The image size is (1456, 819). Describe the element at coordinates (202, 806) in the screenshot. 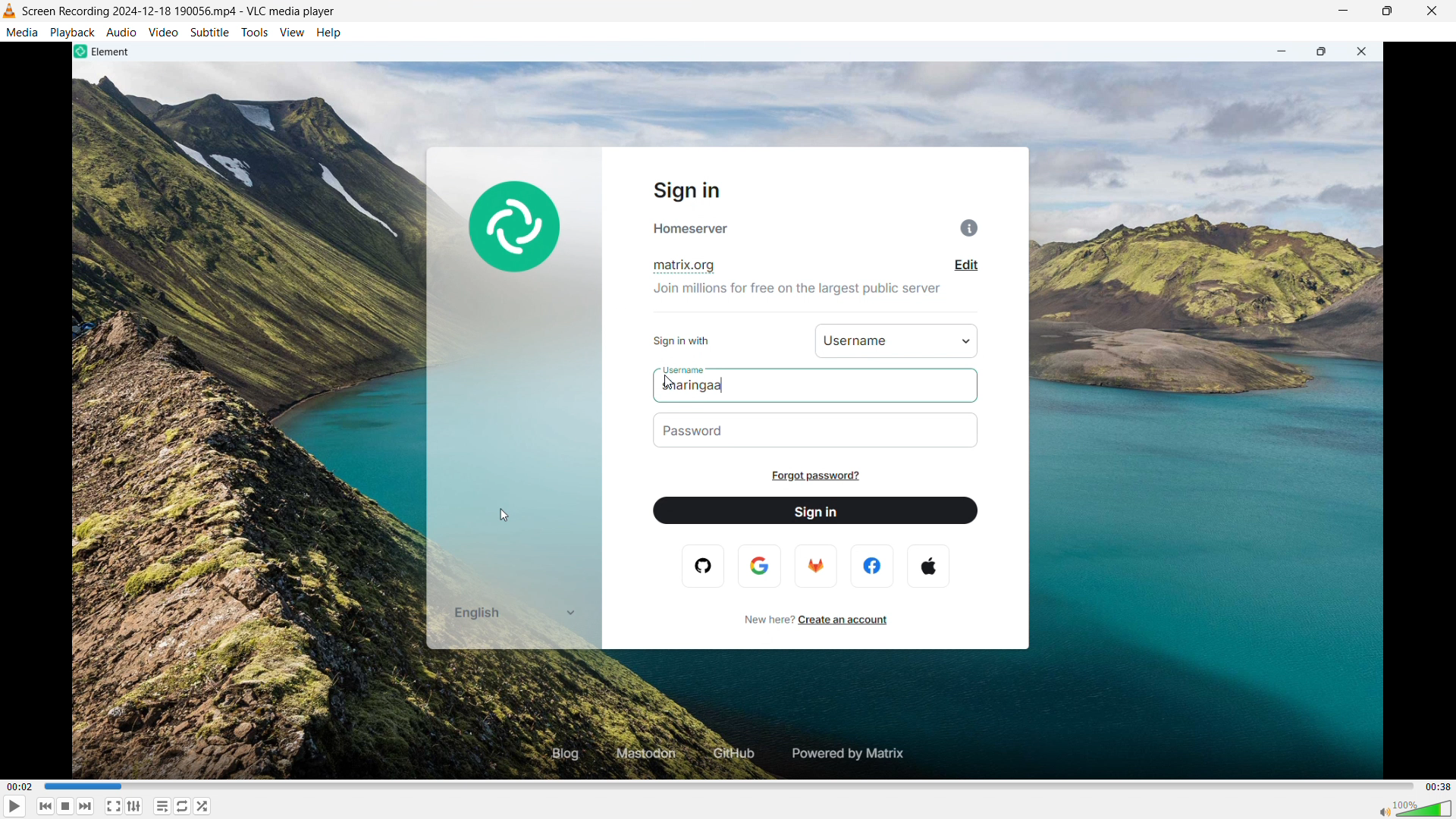

I see `random` at that location.